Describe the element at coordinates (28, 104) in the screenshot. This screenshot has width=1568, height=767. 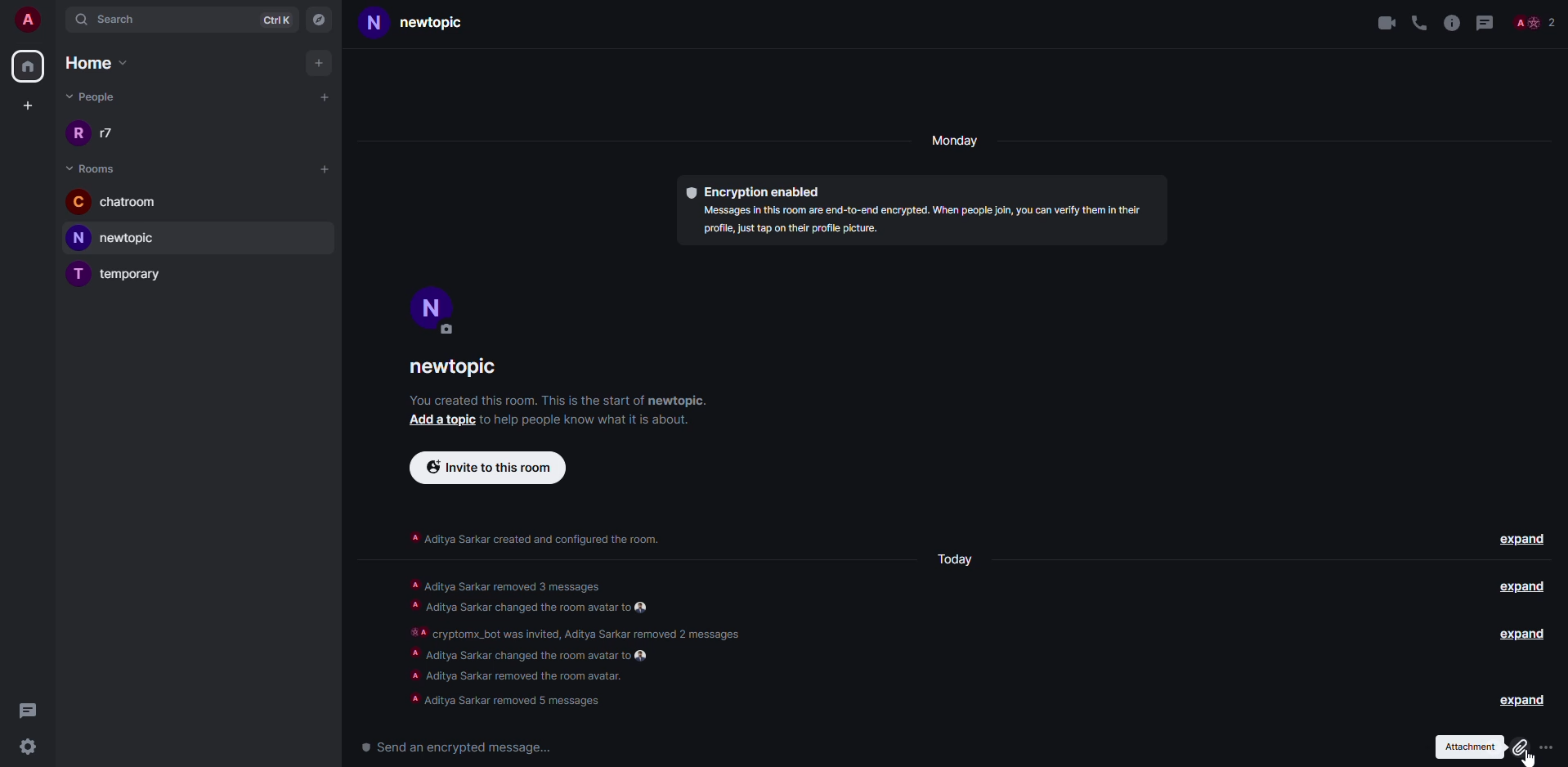
I see `create space` at that location.